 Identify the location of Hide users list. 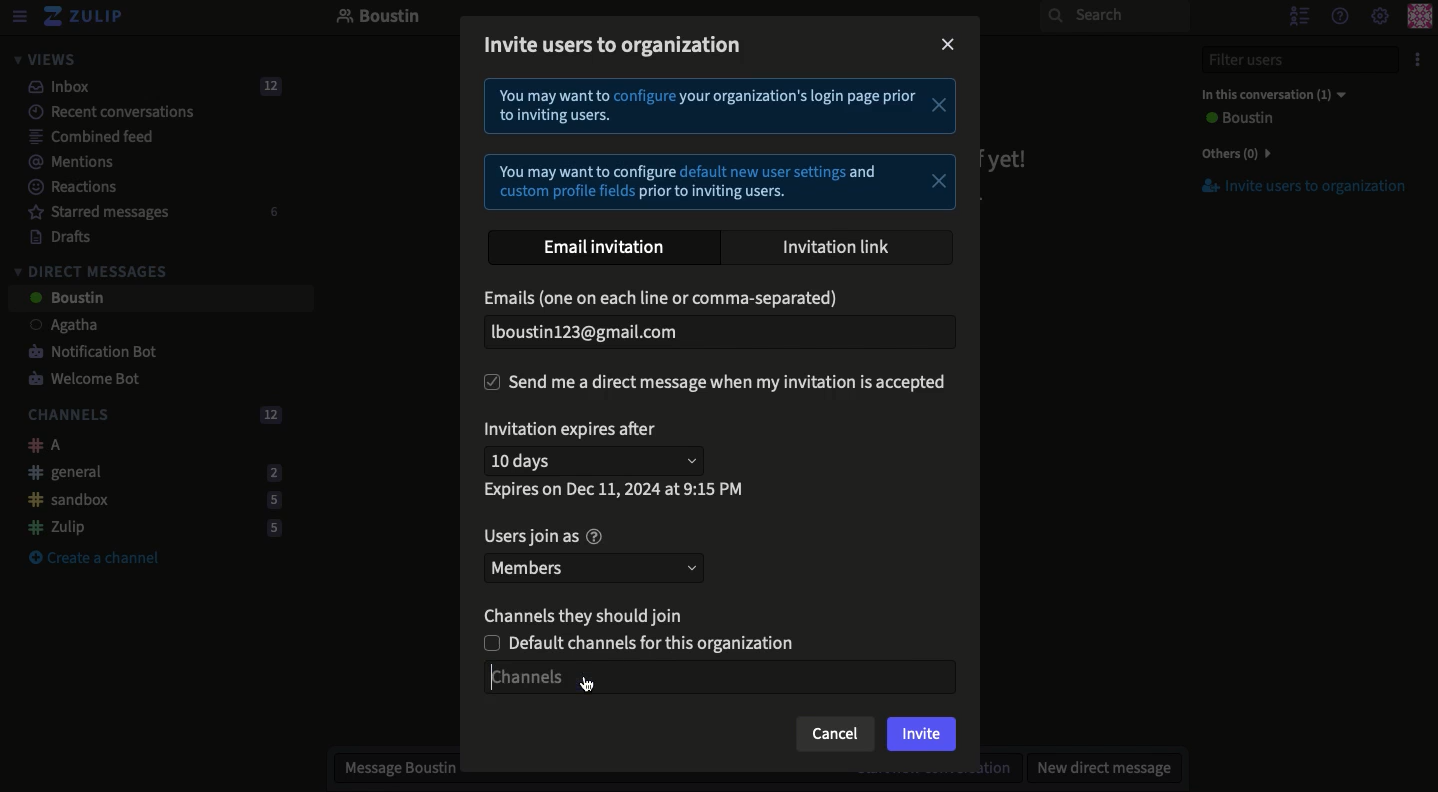
(1297, 15).